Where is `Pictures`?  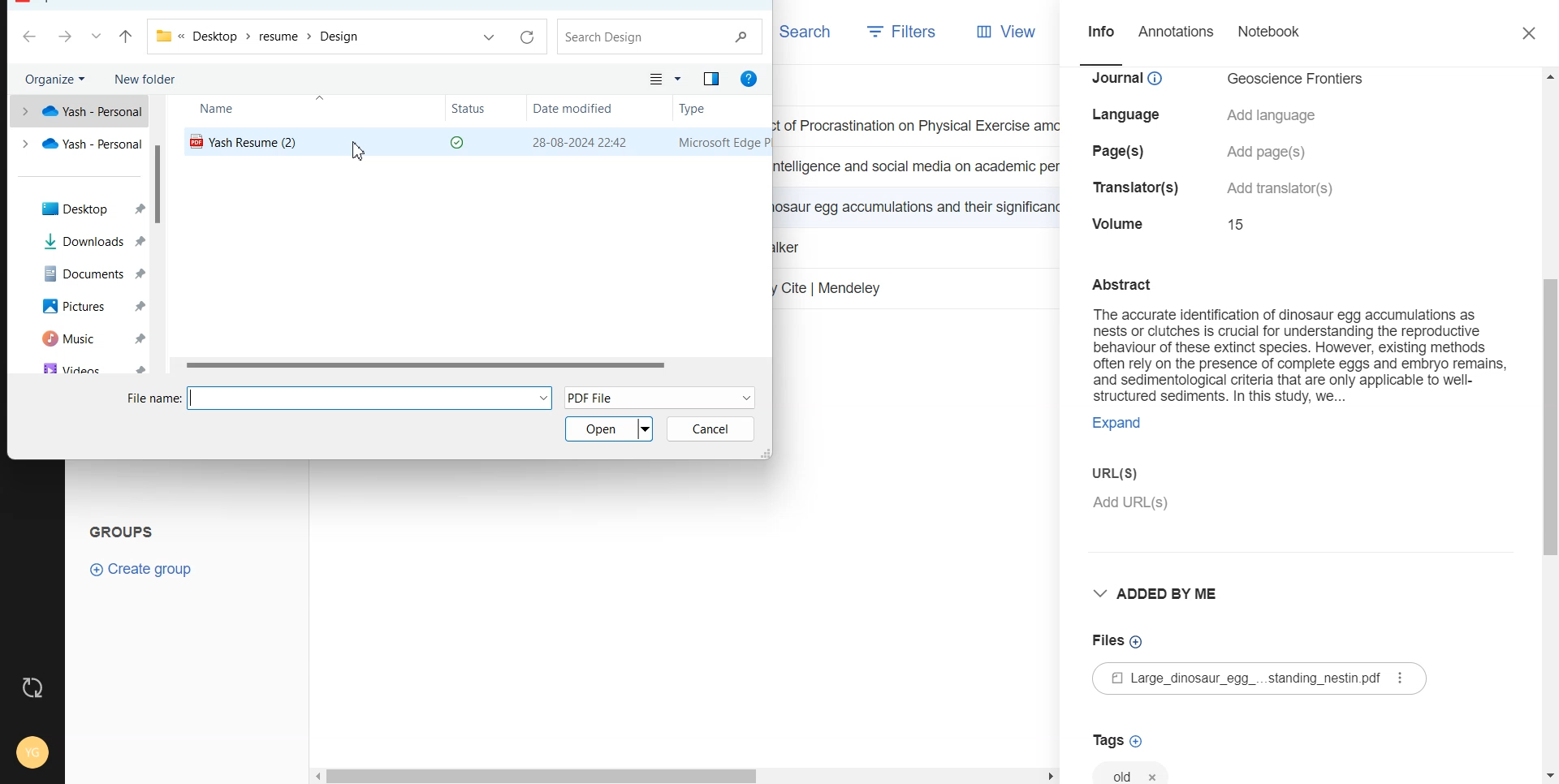
Pictures is located at coordinates (79, 305).